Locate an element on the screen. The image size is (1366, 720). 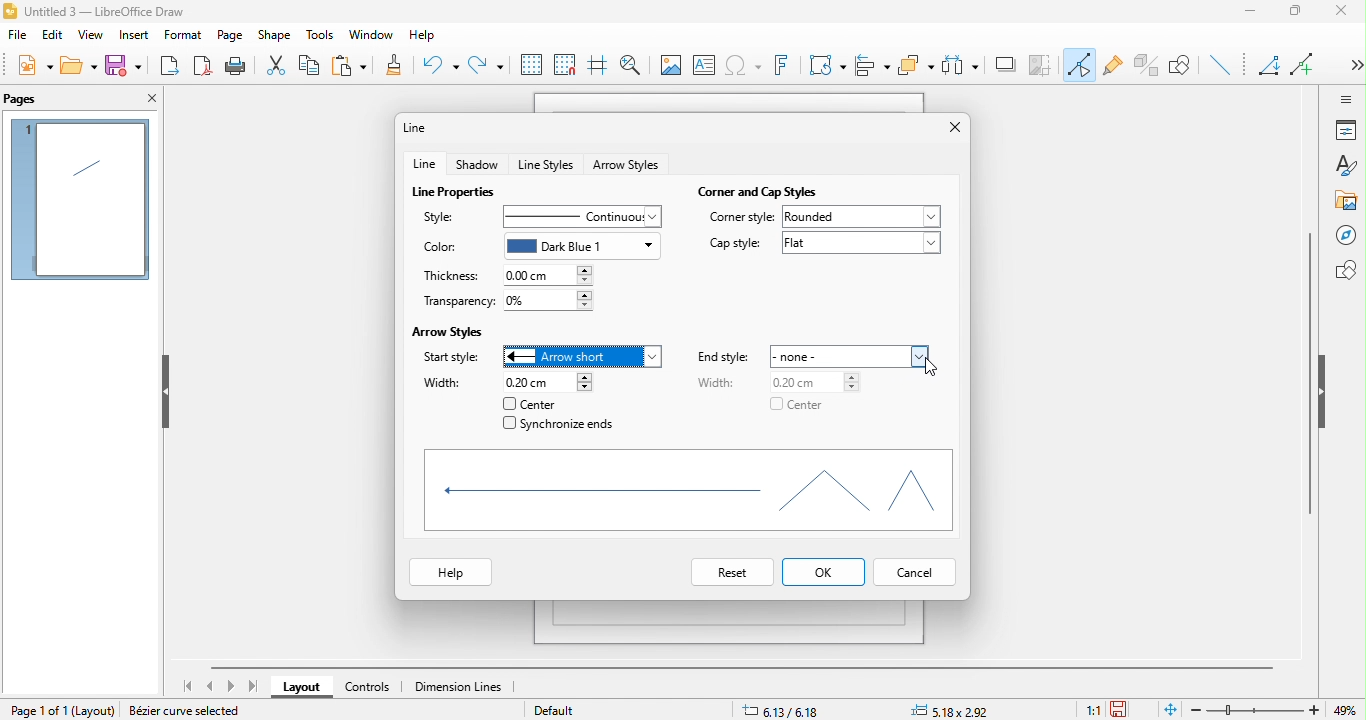
add line is located at coordinates (1307, 62).